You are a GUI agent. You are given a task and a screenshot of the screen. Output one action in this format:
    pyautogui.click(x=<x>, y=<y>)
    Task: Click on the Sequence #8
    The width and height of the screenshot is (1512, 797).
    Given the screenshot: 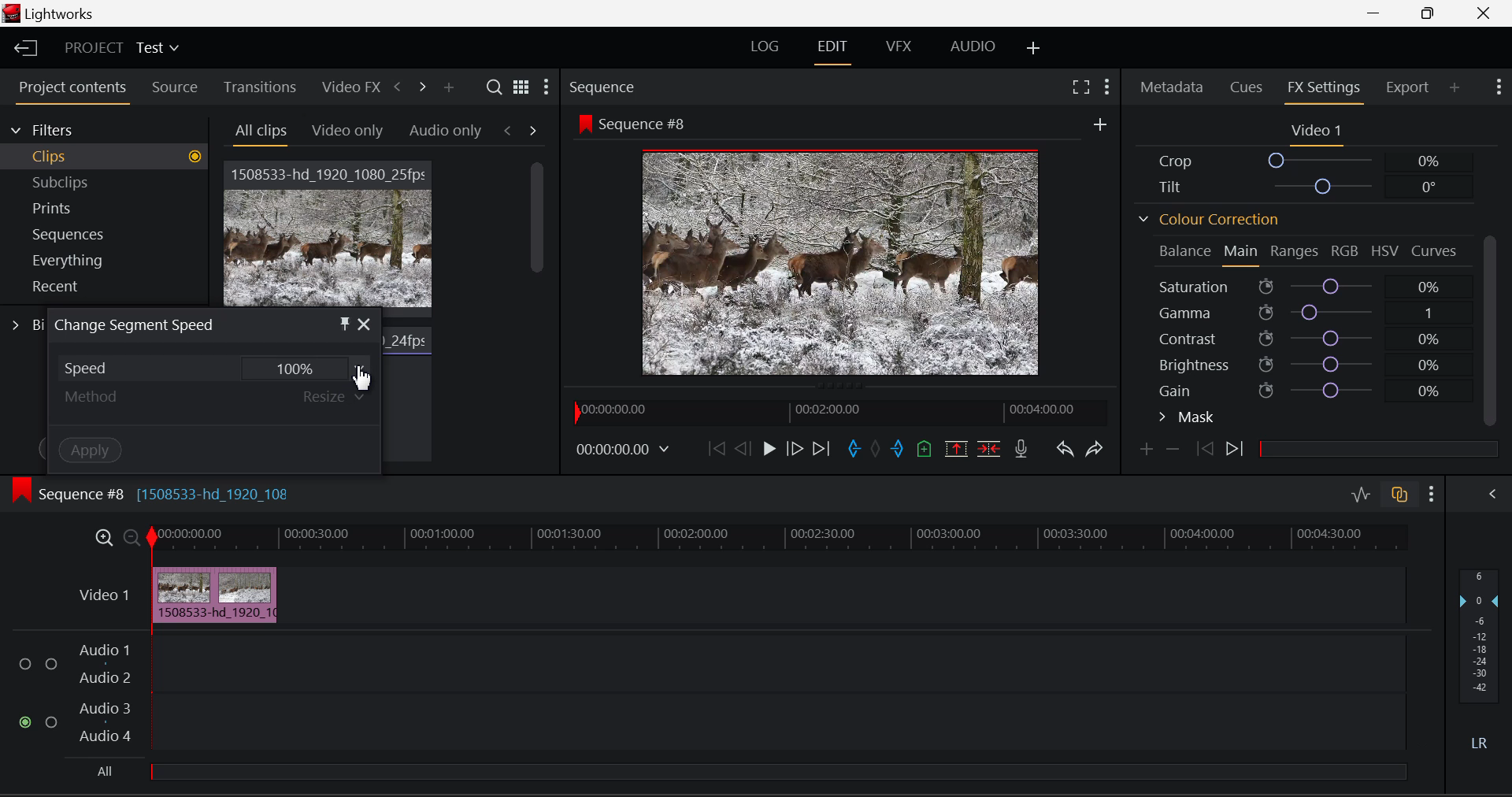 What is the action you would take?
    pyautogui.click(x=632, y=122)
    